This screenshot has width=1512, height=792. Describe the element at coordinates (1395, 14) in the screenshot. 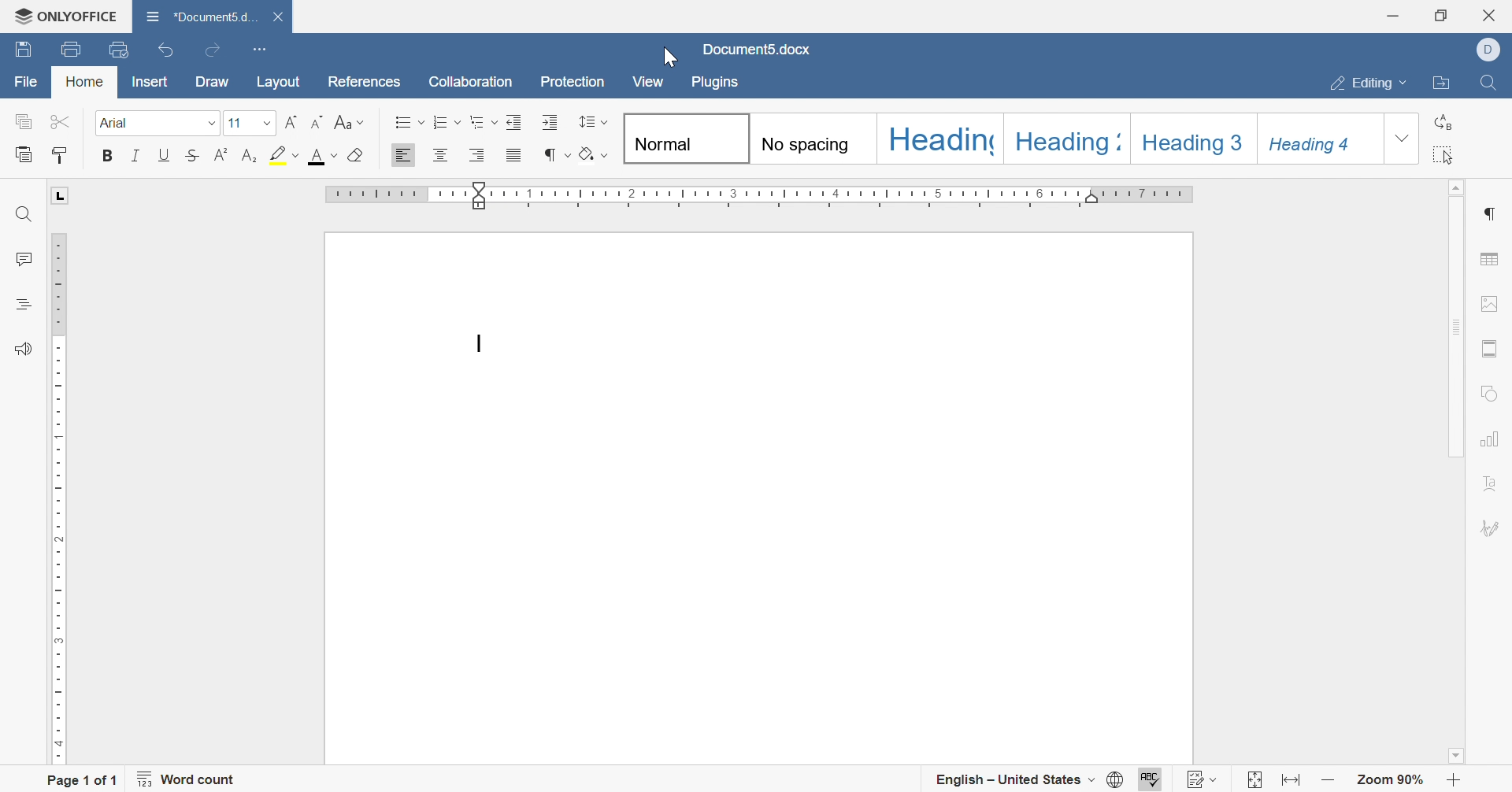

I see `minimize` at that location.